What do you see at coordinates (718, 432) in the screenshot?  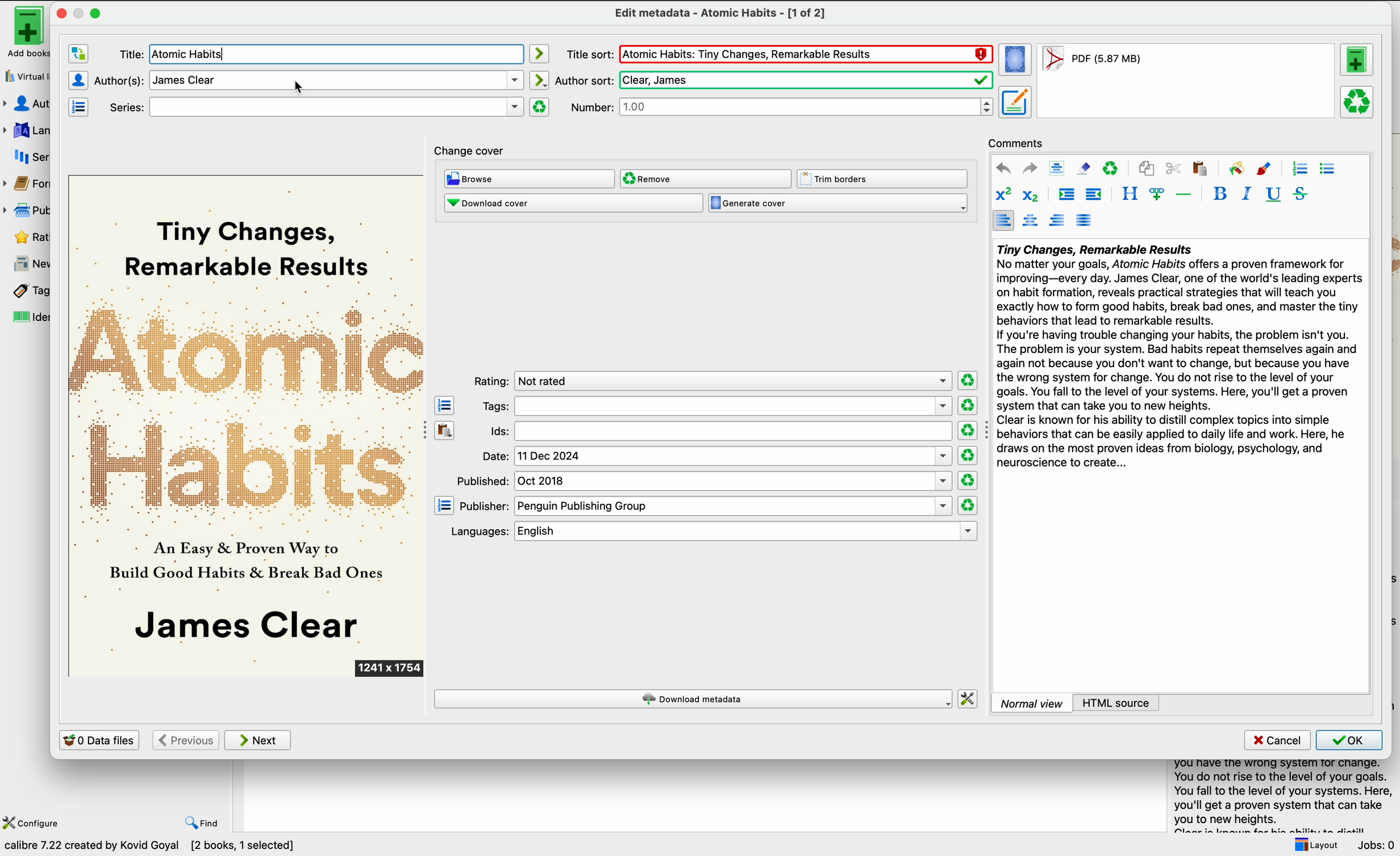 I see `Ids` at bounding box center [718, 432].